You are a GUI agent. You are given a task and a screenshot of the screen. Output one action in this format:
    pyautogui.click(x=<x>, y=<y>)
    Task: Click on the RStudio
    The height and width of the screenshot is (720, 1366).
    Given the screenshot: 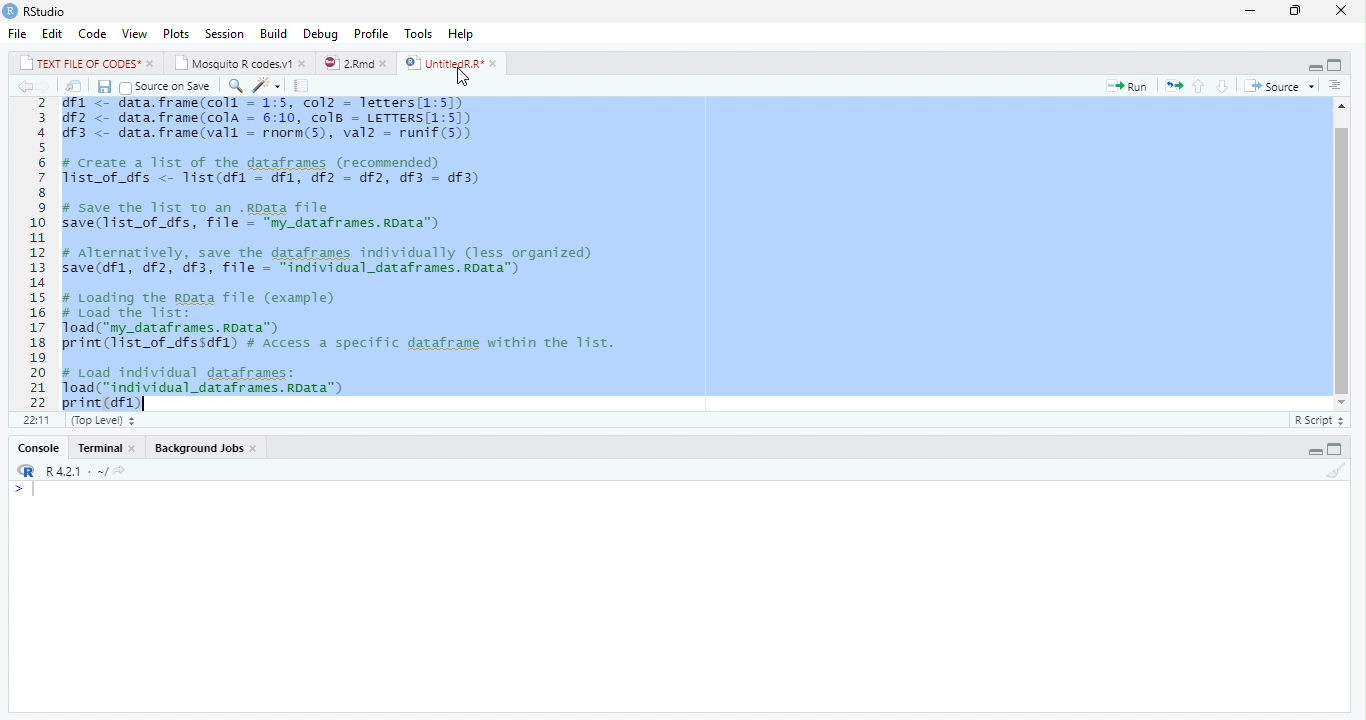 What is the action you would take?
    pyautogui.click(x=37, y=12)
    